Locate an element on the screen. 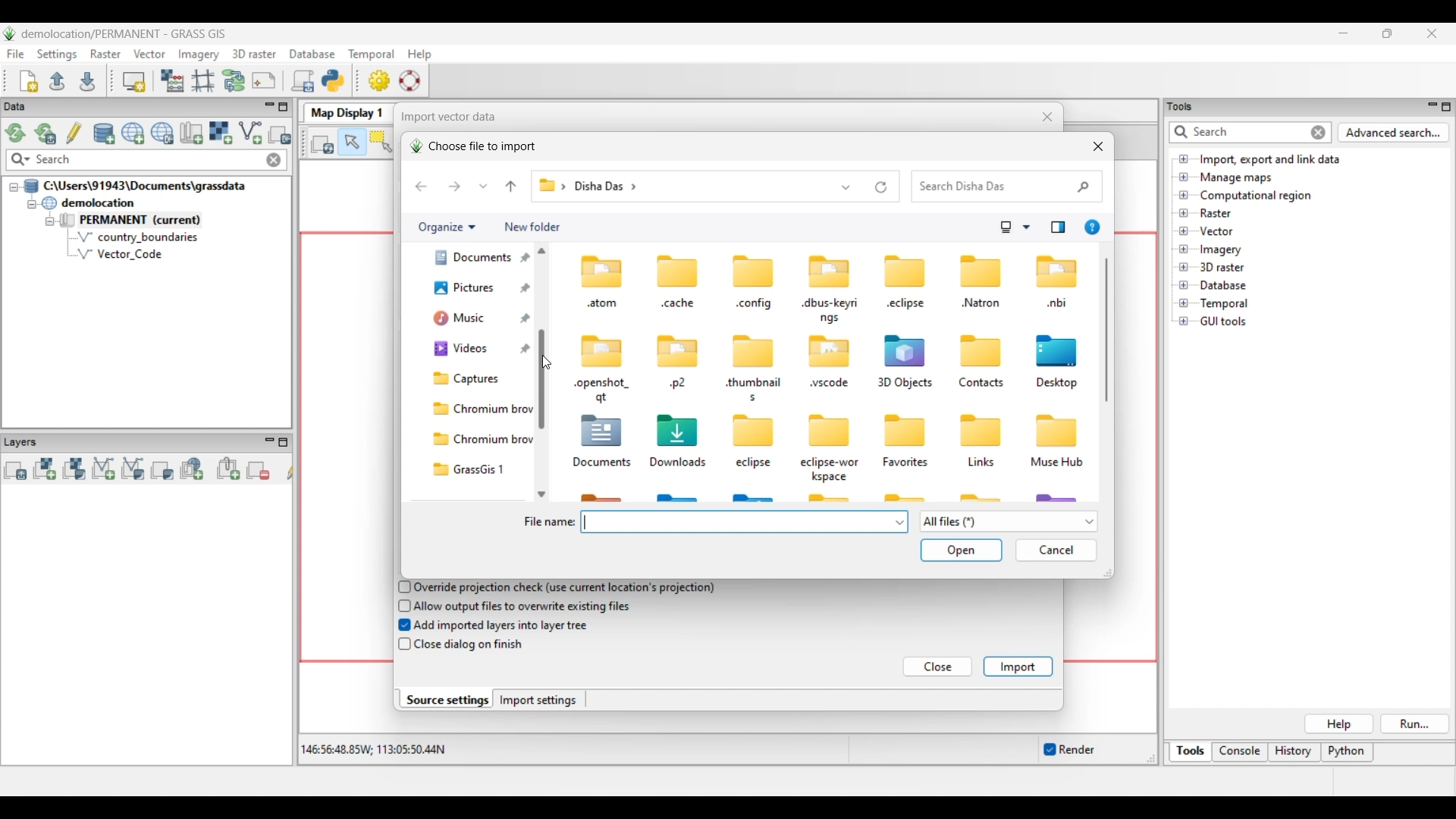  checkbox is located at coordinates (403, 645).